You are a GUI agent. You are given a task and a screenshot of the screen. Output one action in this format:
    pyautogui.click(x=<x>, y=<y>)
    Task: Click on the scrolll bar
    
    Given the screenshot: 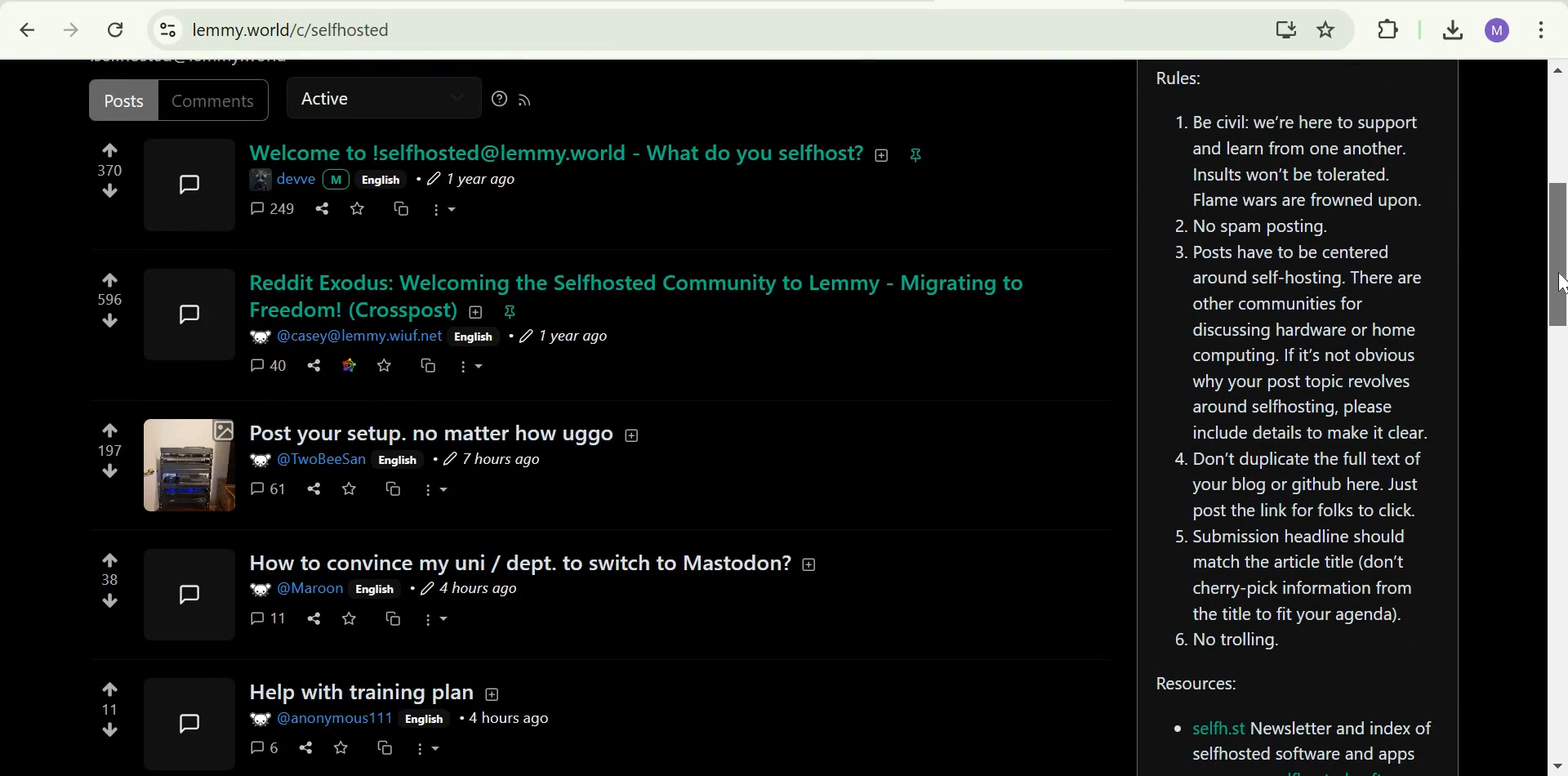 What is the action you would take?
    pyautogui.click(x=1558, y=253)
    